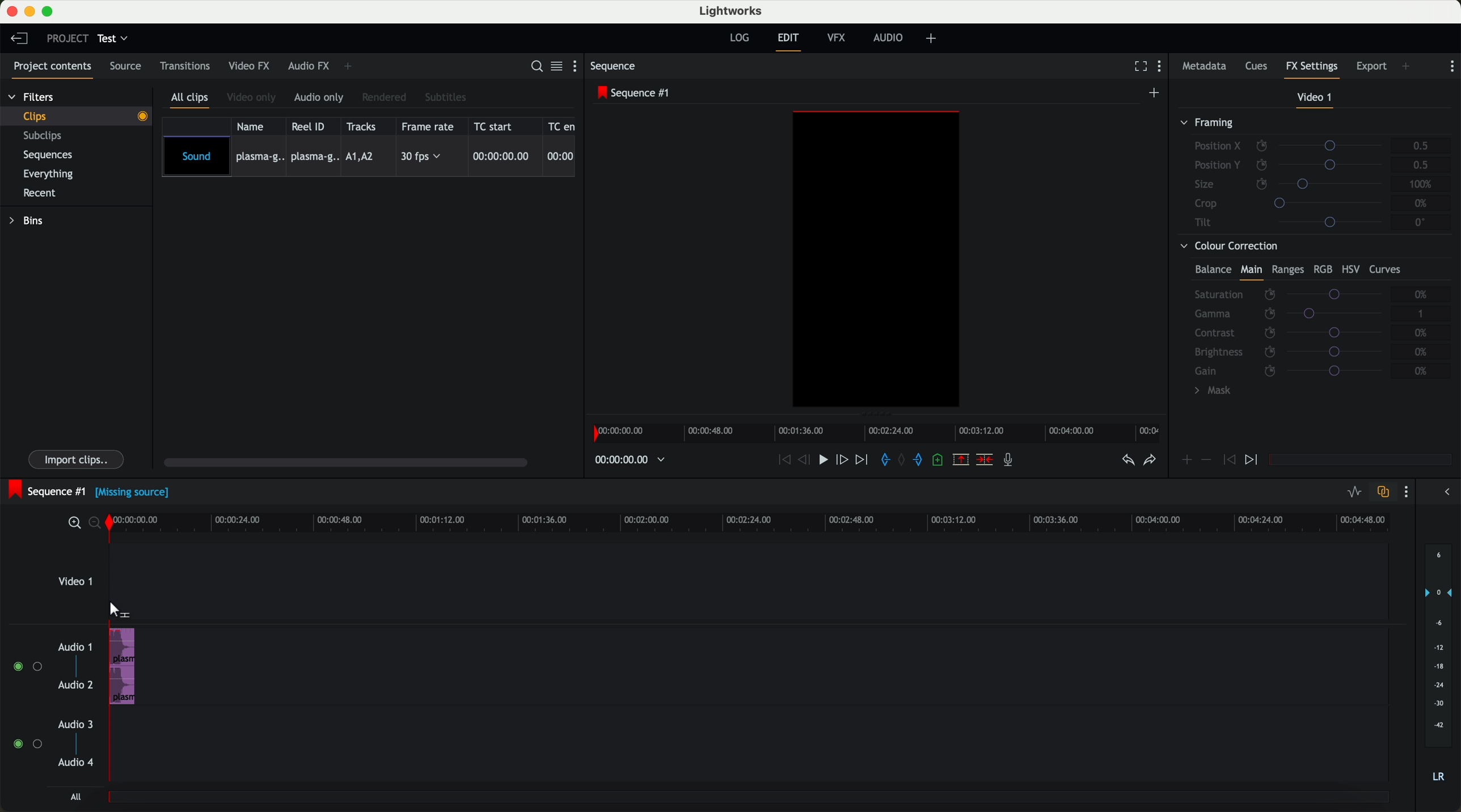 This screenshot has height=812, width=1461. I want to click on project, so click(65, 38).